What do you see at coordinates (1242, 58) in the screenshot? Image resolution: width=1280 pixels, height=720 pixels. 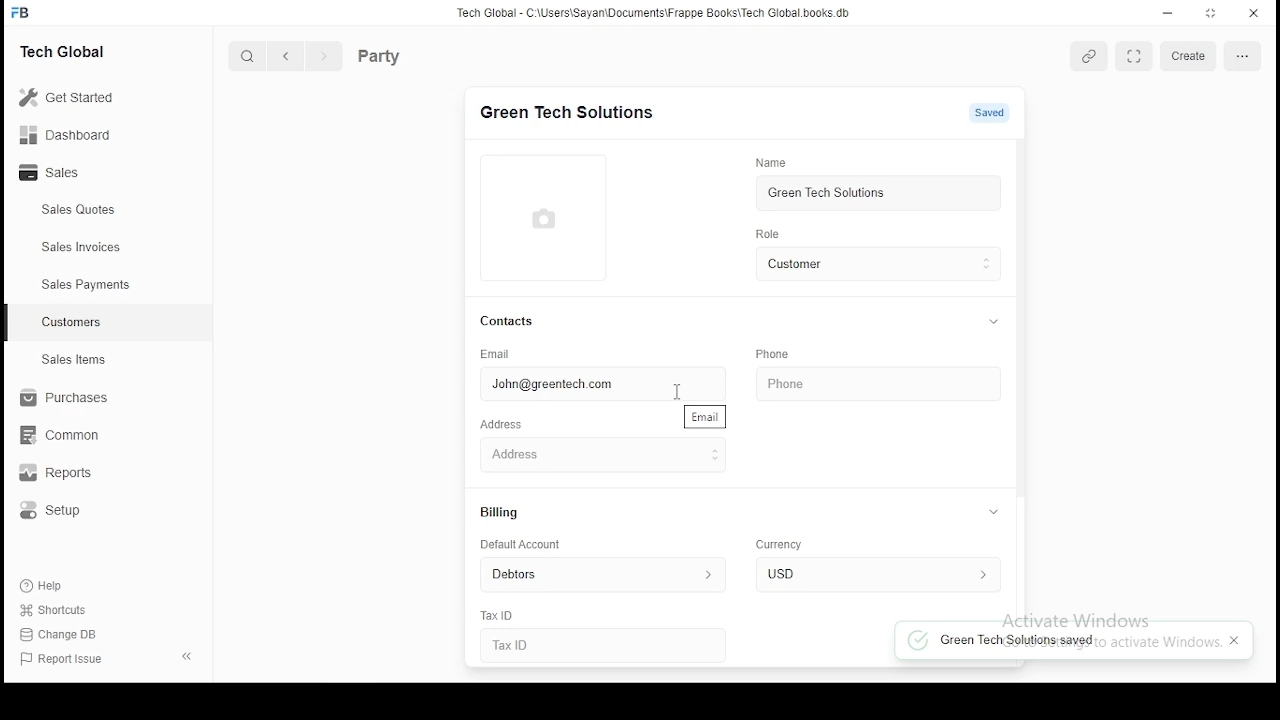 I see `more options` at bounding box center [1242, 58].